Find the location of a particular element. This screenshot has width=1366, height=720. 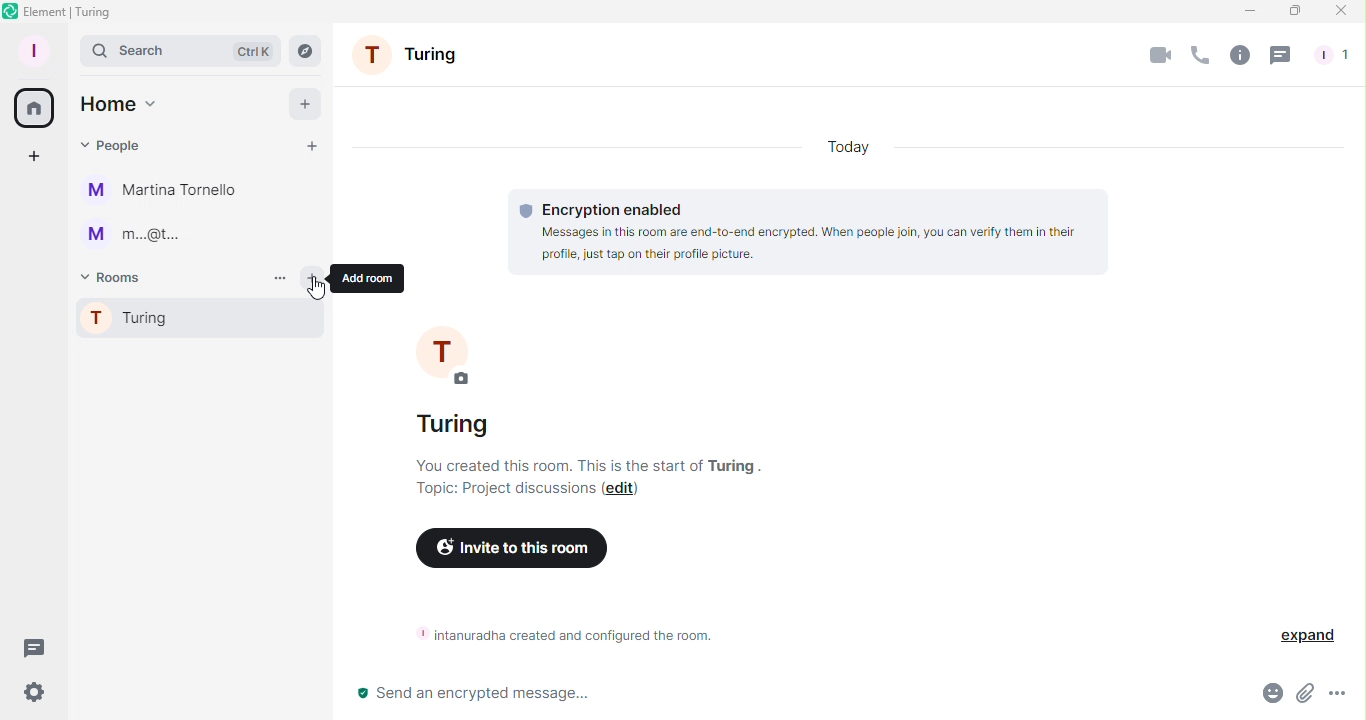

Profile is located at coordinates (30, 49).